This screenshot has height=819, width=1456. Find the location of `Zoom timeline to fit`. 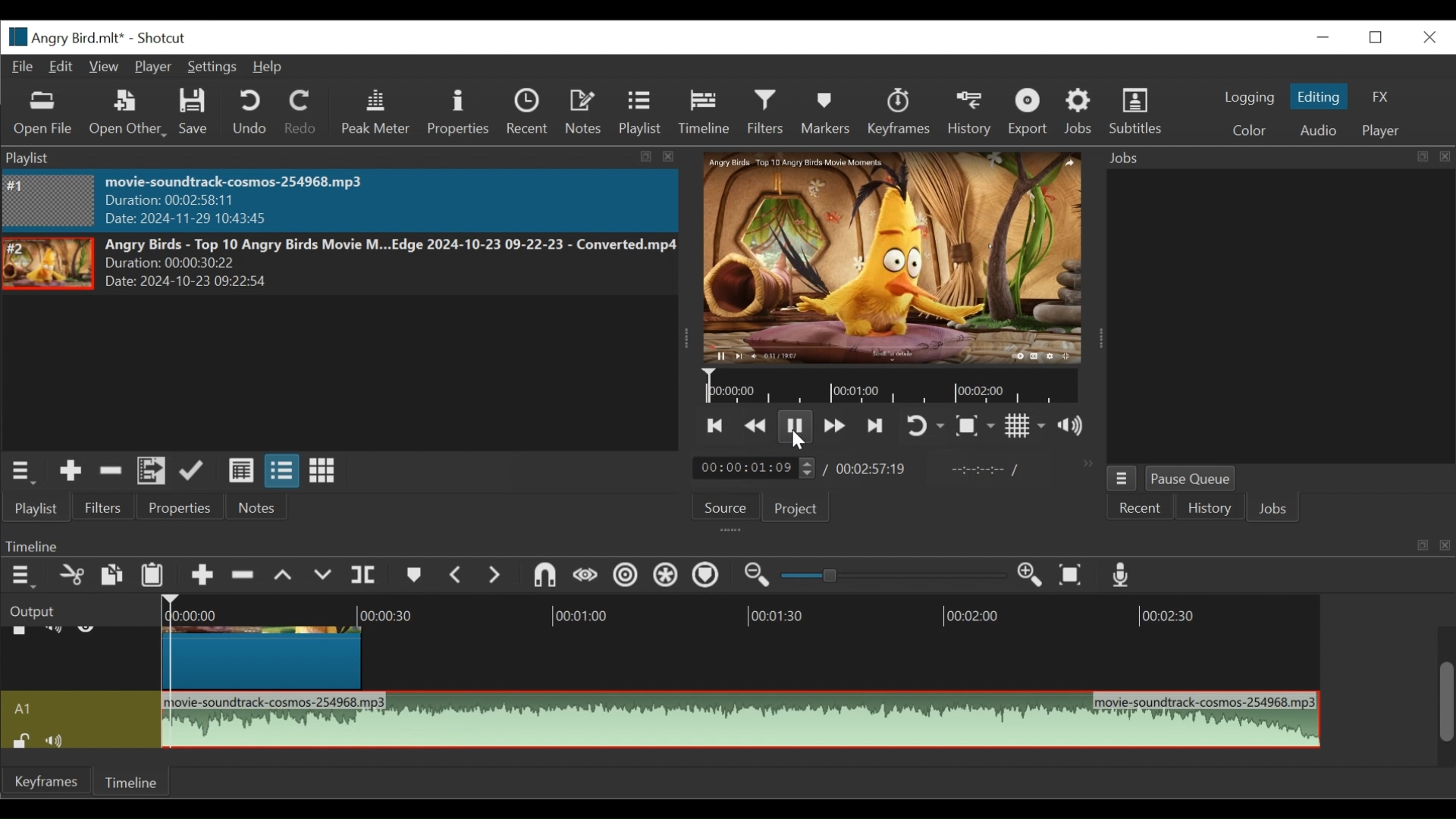

Zoom timeline to fit is located at coordinates (1073, 575).